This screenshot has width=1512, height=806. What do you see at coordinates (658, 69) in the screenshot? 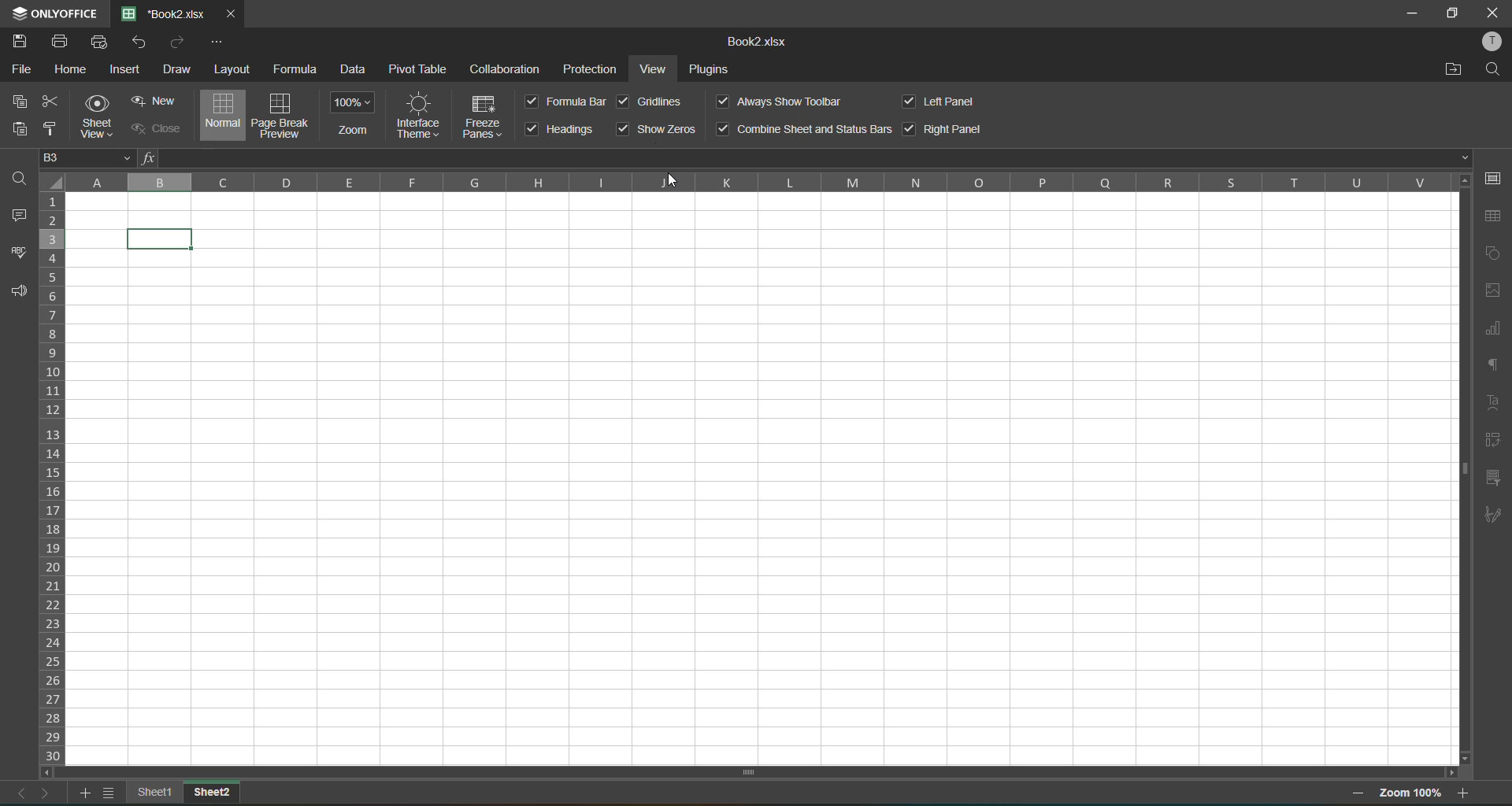
I see `view` at bounding box center [658, 69].